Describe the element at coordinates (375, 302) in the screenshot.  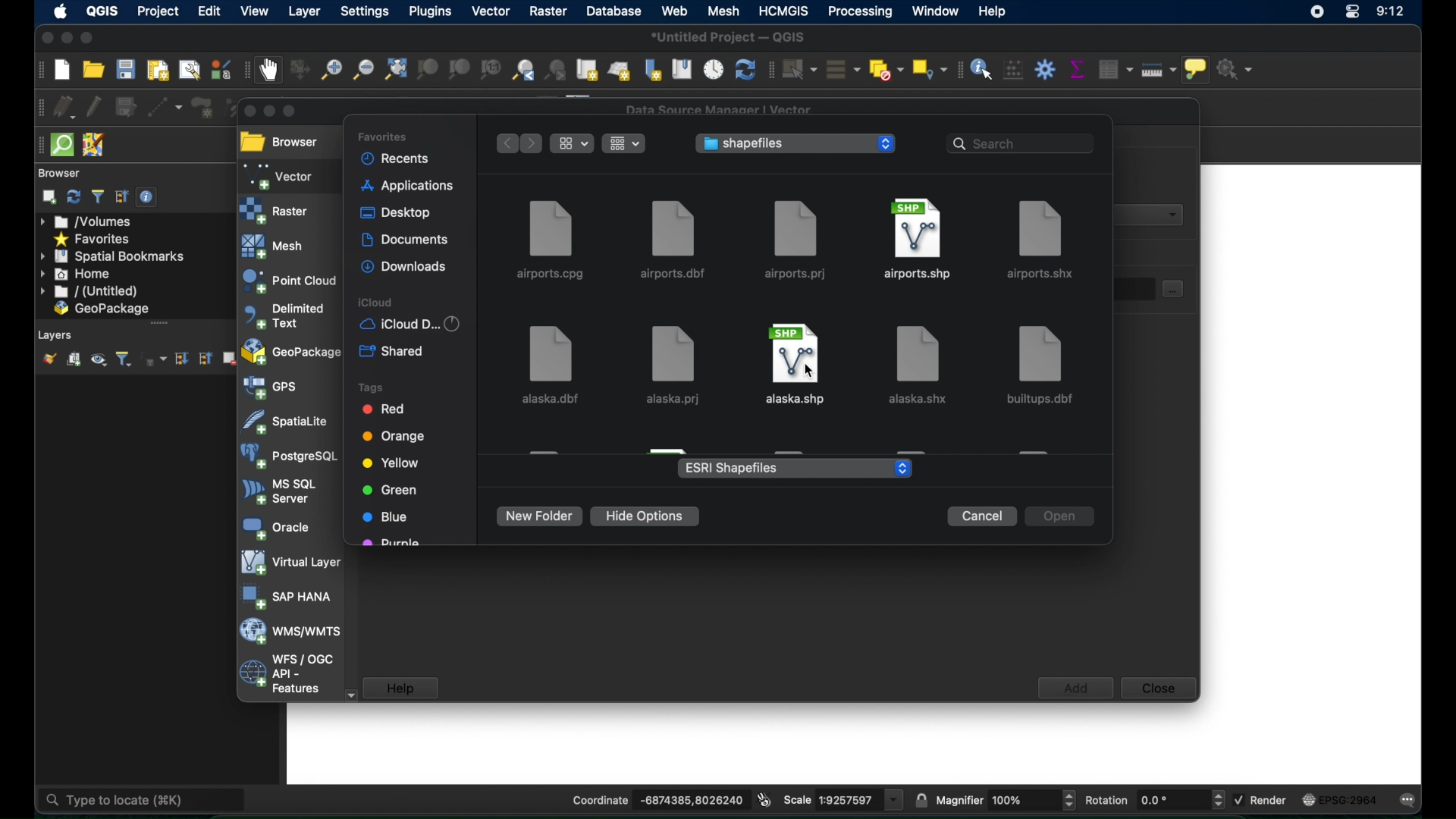
I see `icloud` at that location.